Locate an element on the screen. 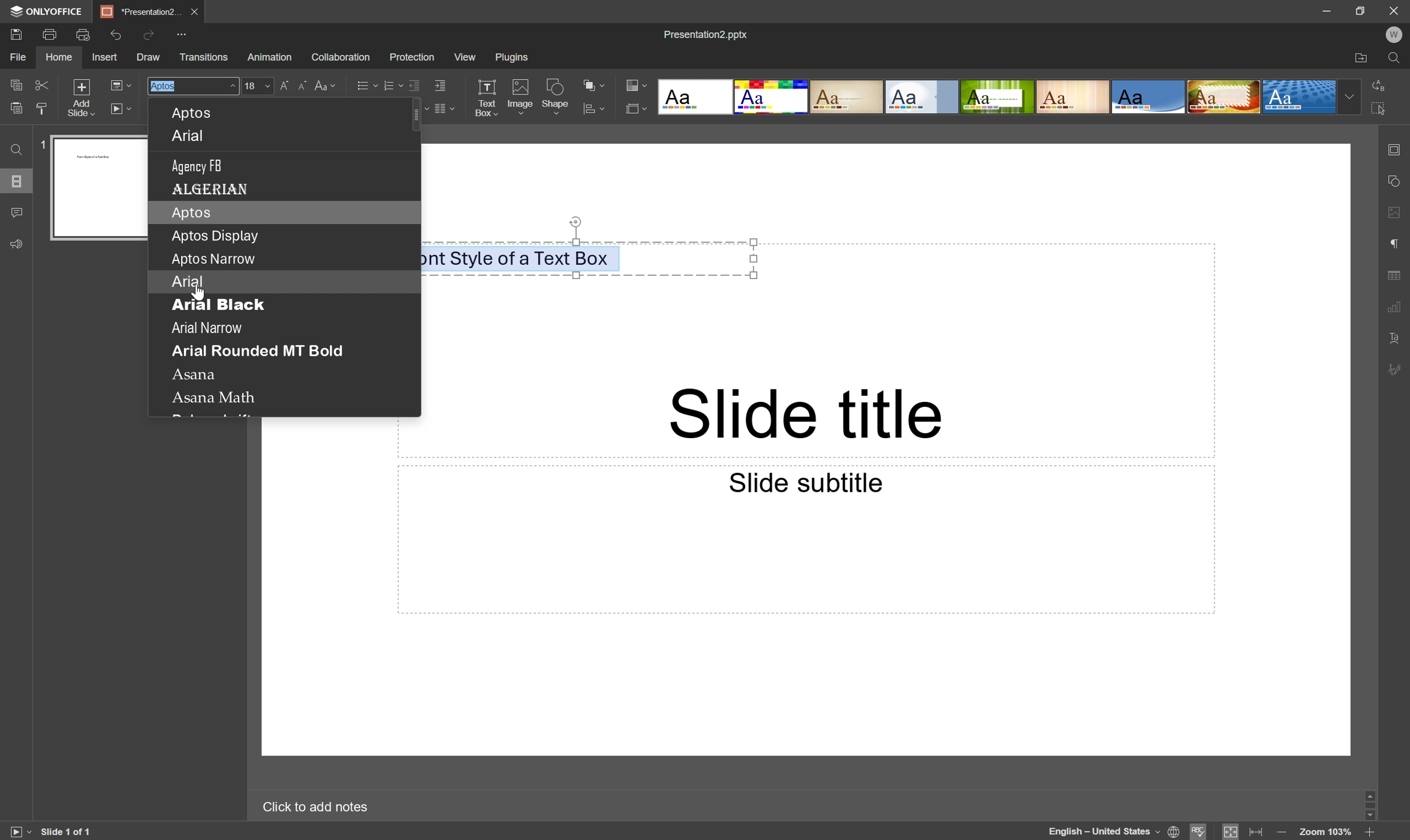 Image resolution: width=1410 pixels, height=840 pixels. Arial is located at coordinates (190, 136).